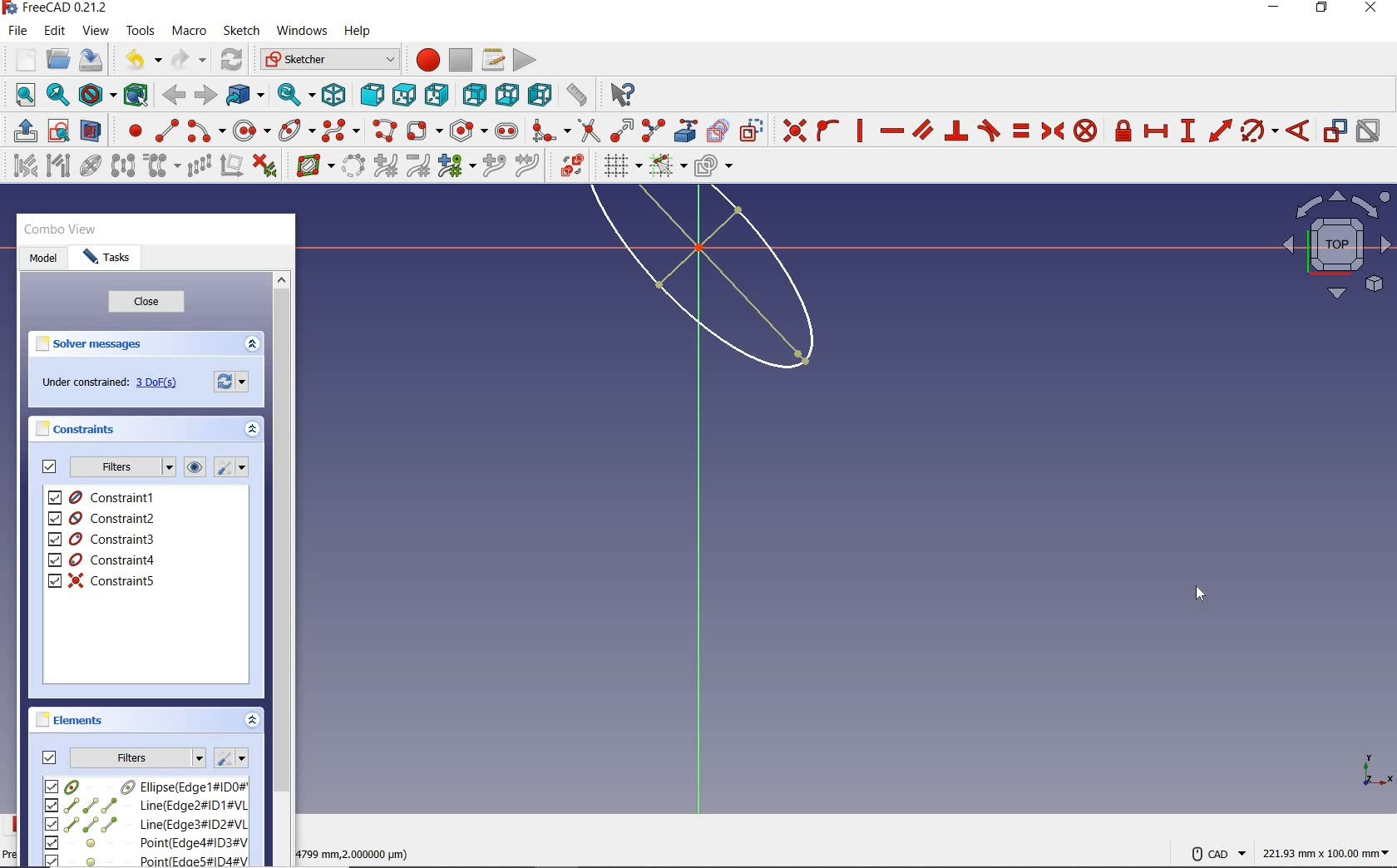 This screenshot has width=1397, height=868. Describe the element at coordinates (1260, 130) in the screenshot. I see `constrain ar/circle` at that location.